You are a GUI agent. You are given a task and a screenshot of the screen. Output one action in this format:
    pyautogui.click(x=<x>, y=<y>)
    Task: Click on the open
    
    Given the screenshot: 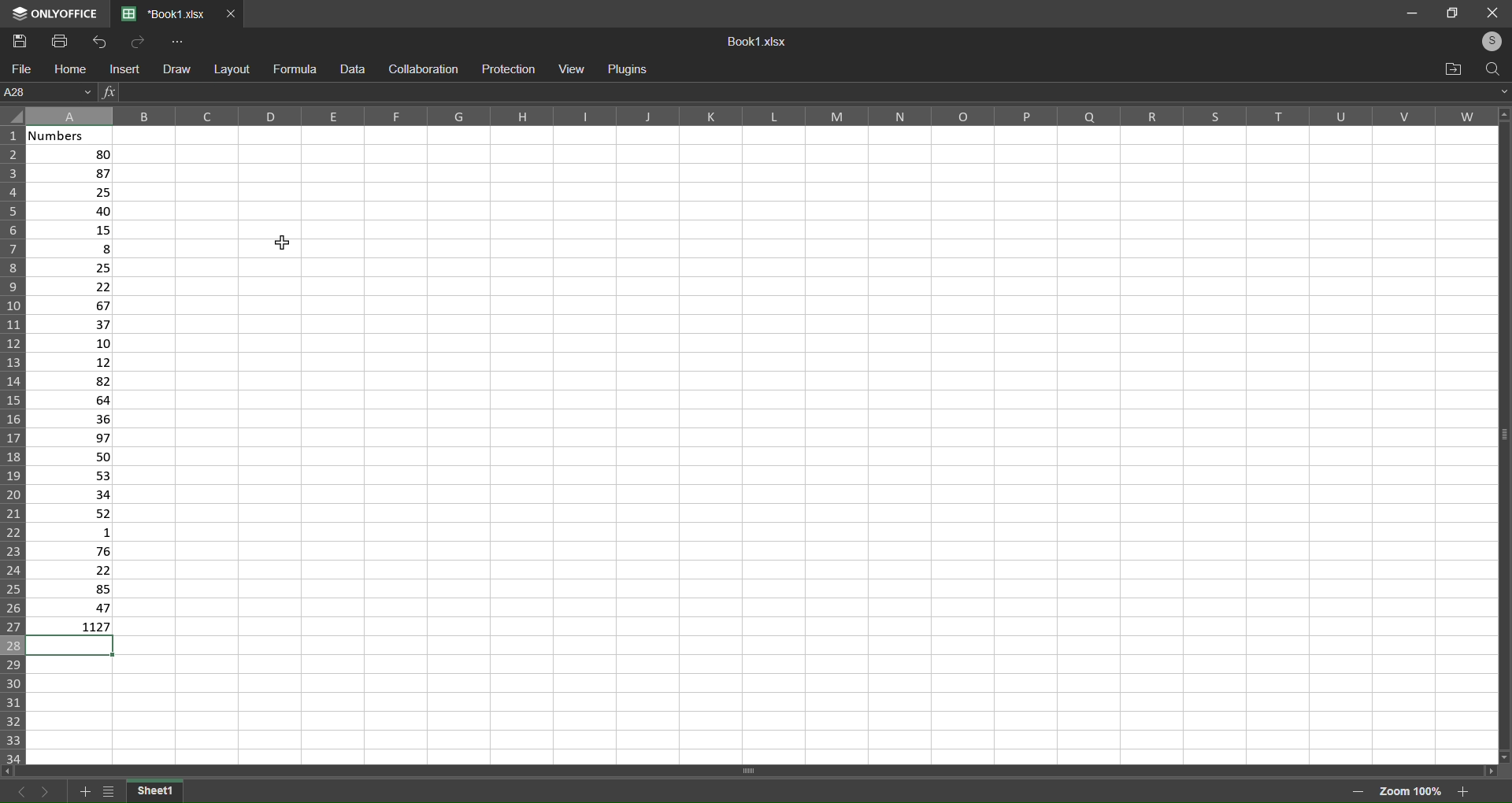 What is the action you would take?
    pyautogui.click(x=1451, y=67)
    